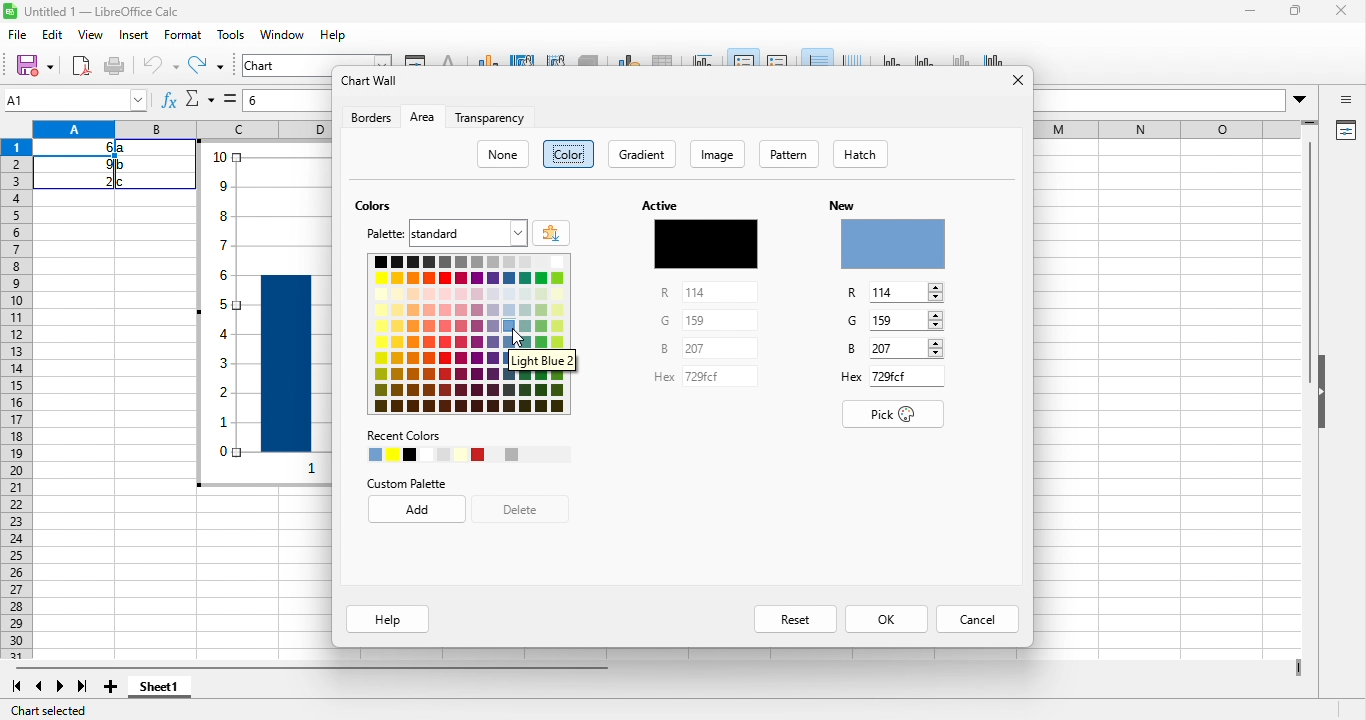 This screenshot has width=1366, height=720. What do you see at coordinates (554, 233) in the screenshot?
I see `add` at bounding box center [554, 233].